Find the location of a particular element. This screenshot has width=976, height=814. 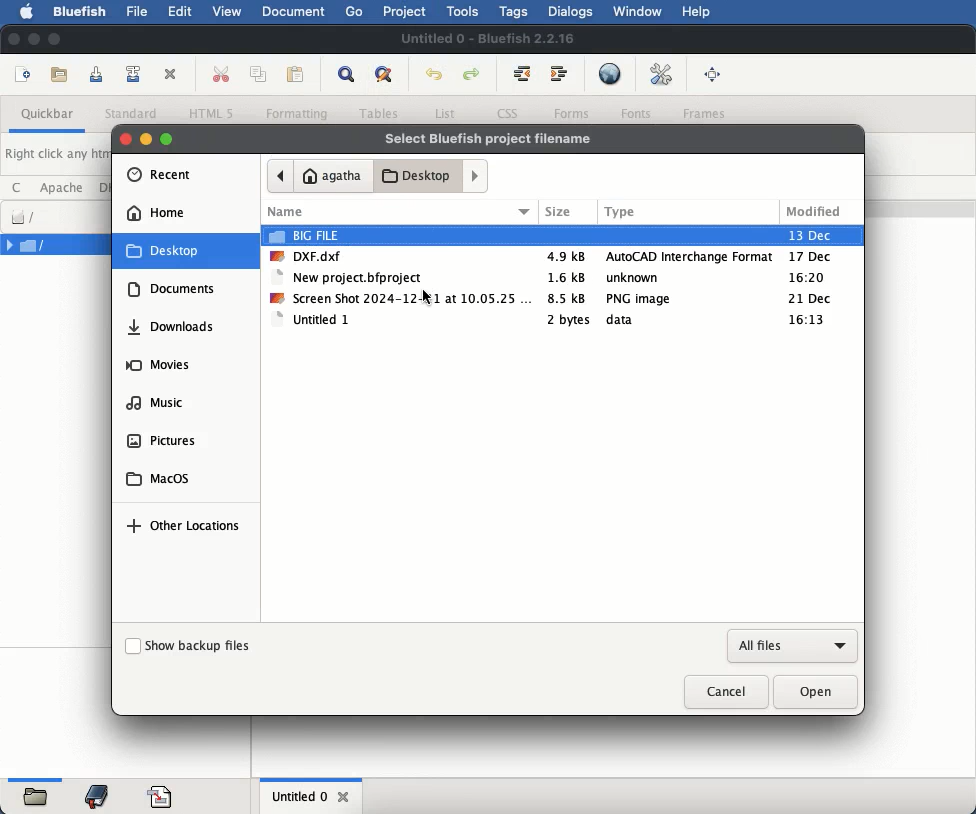

21 Dec is located at coordinates (816, 300).